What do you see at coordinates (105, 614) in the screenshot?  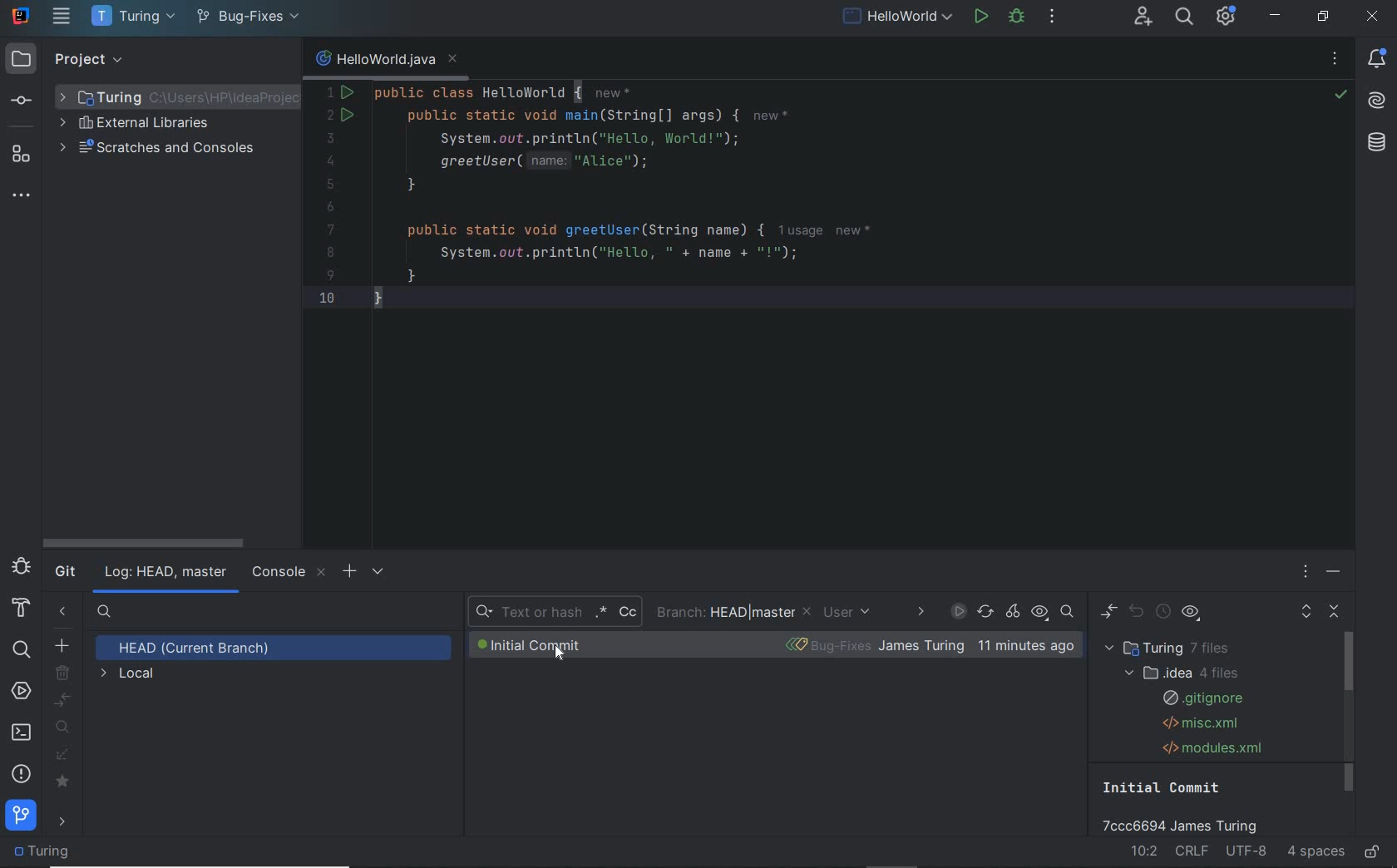 I see `searh` at bounding box center [105, 614].